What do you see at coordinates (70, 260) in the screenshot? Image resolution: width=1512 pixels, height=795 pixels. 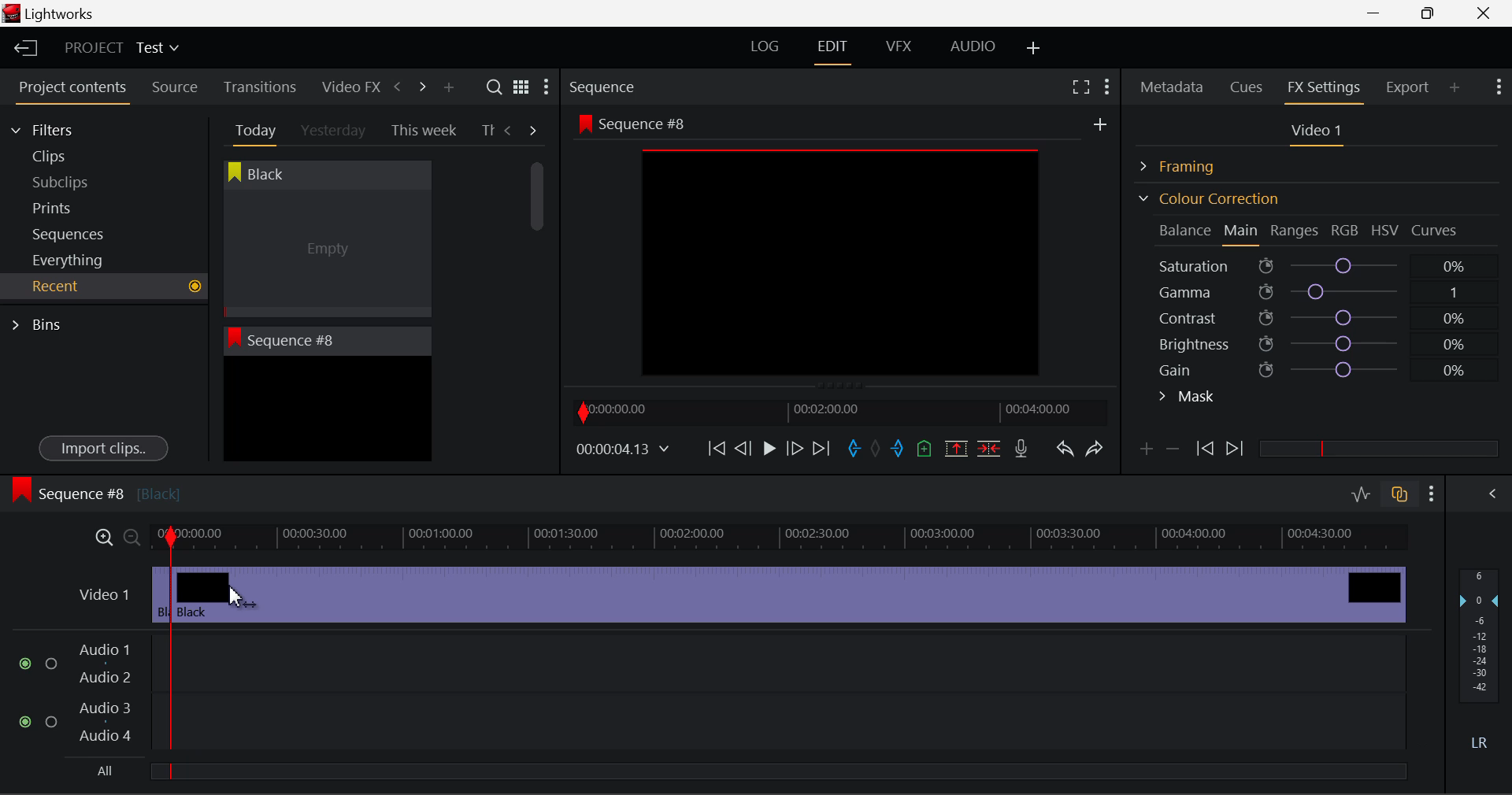 I see `Everything` at bounding box center [70, 260].